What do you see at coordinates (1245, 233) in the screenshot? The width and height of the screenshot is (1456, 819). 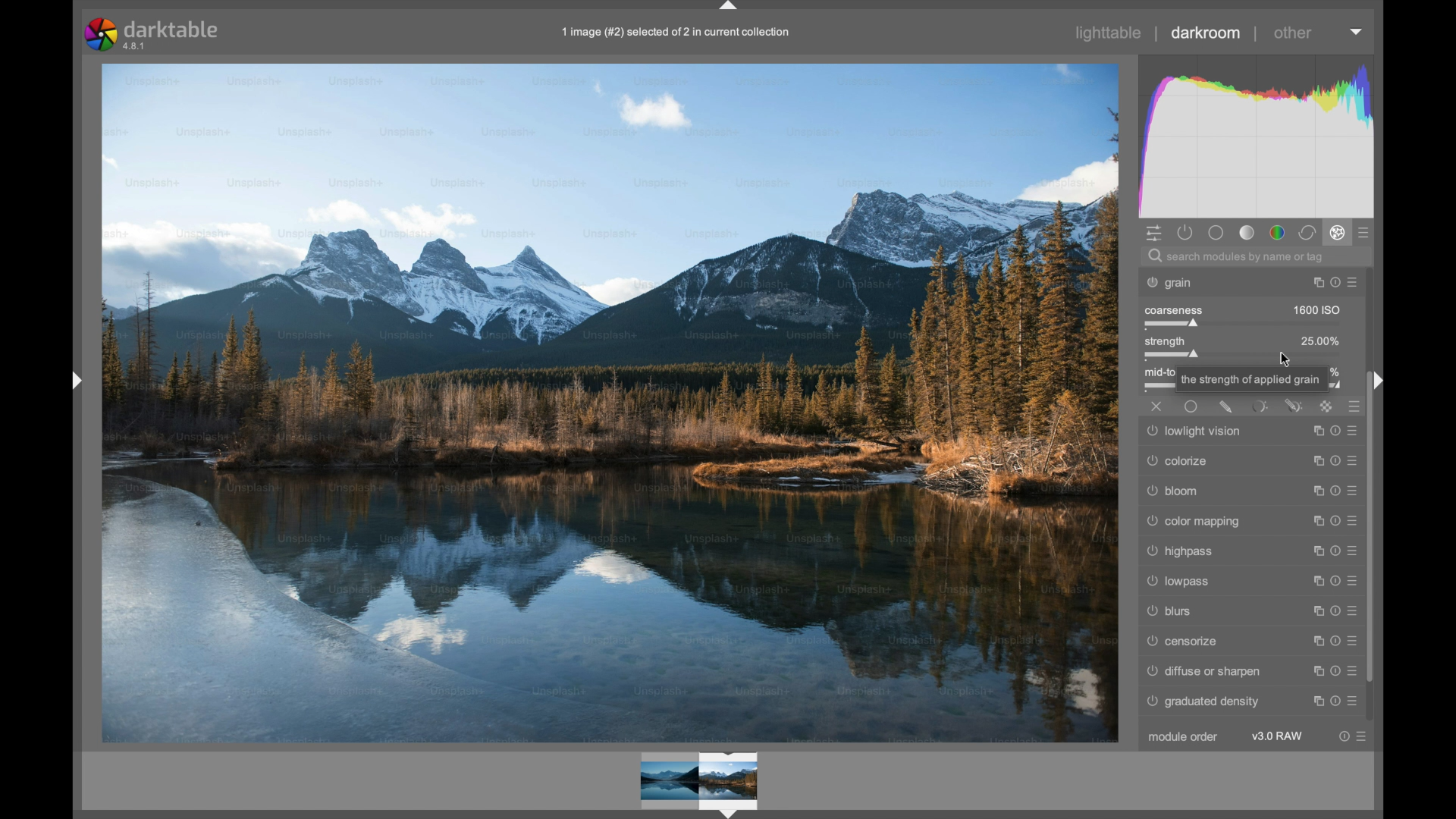 I see `tone` at bounding box center [1245, 233].